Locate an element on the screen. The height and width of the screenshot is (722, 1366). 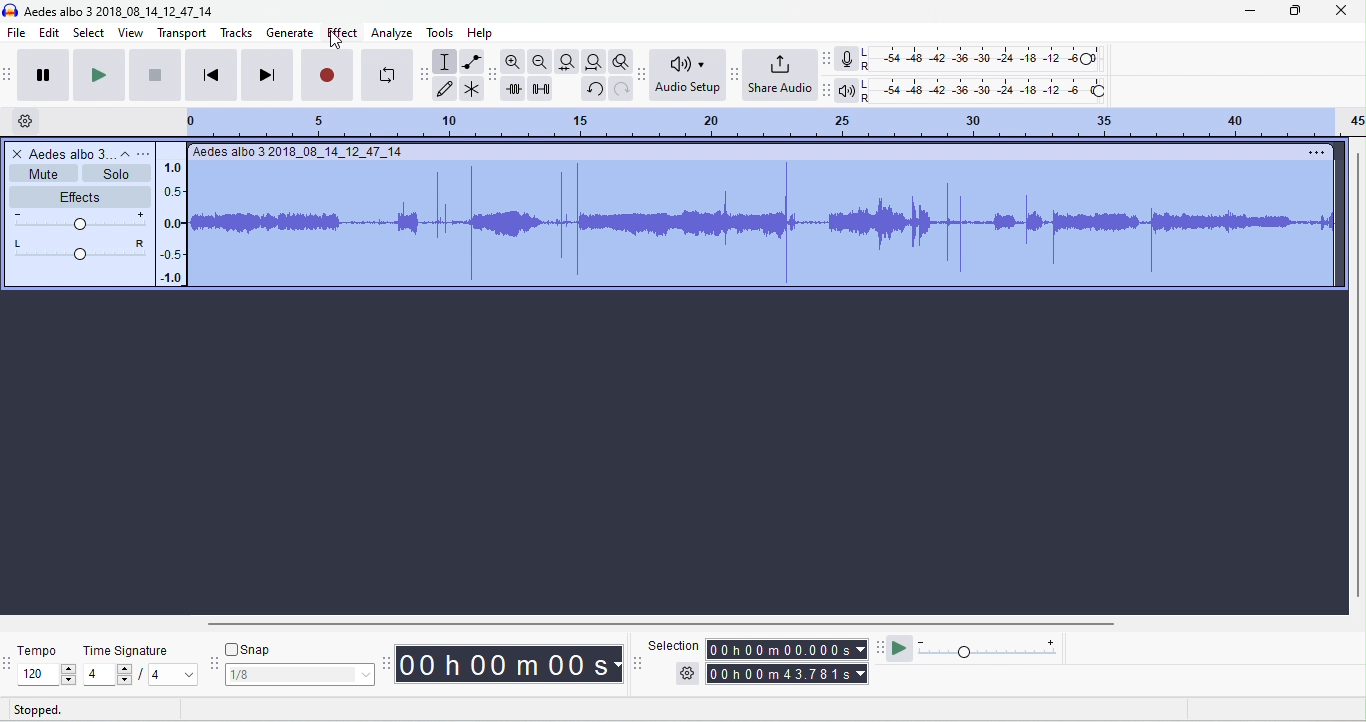
timeline options is located at coordinates (25, 120).